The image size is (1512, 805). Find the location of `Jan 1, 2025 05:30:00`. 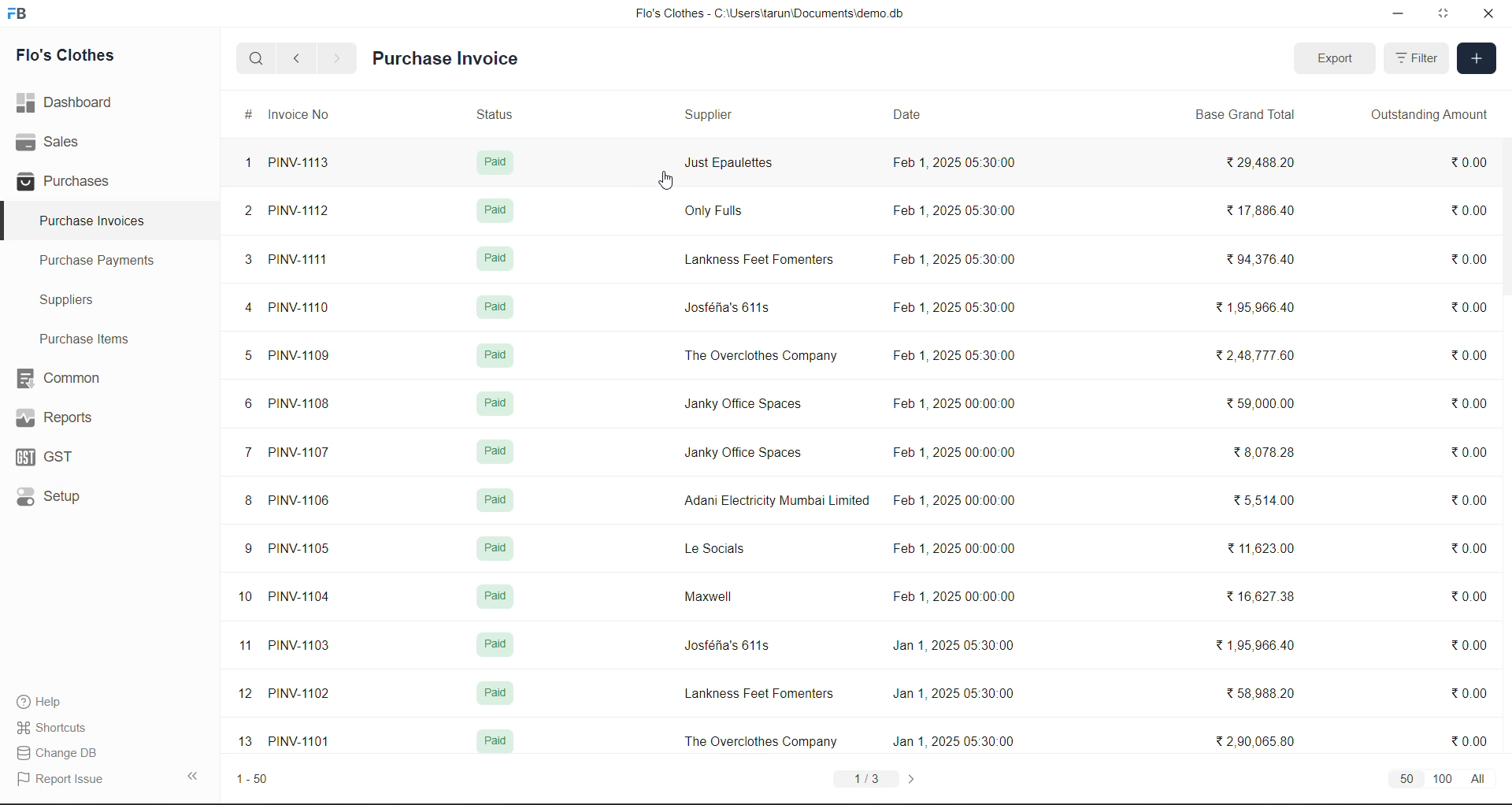

Jan 1, 2025 05:30:00 is located at coordinates (954, 693).